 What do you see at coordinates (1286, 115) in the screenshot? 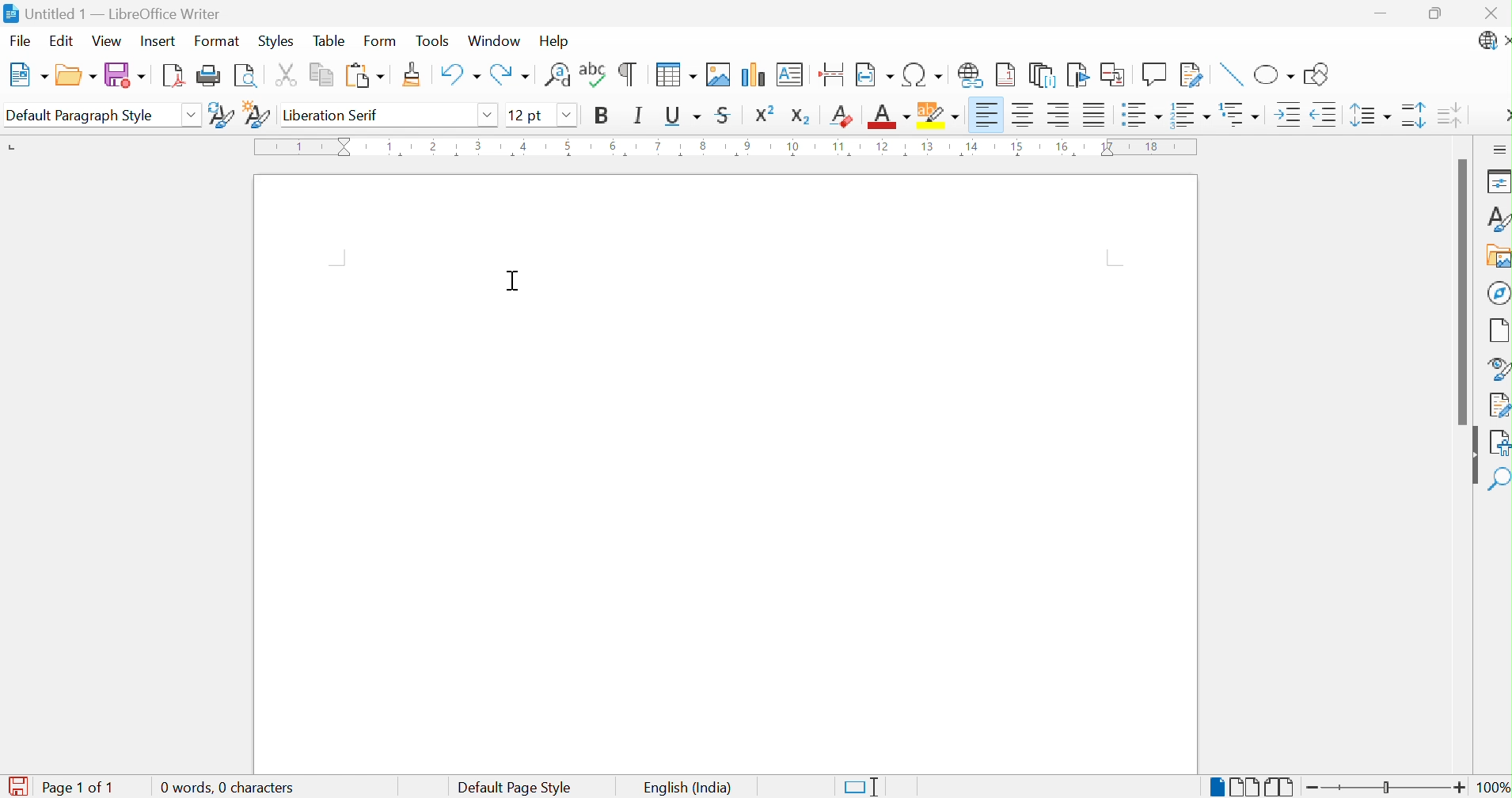
I see `Increase Indent` at bounding box center [1286, 115].